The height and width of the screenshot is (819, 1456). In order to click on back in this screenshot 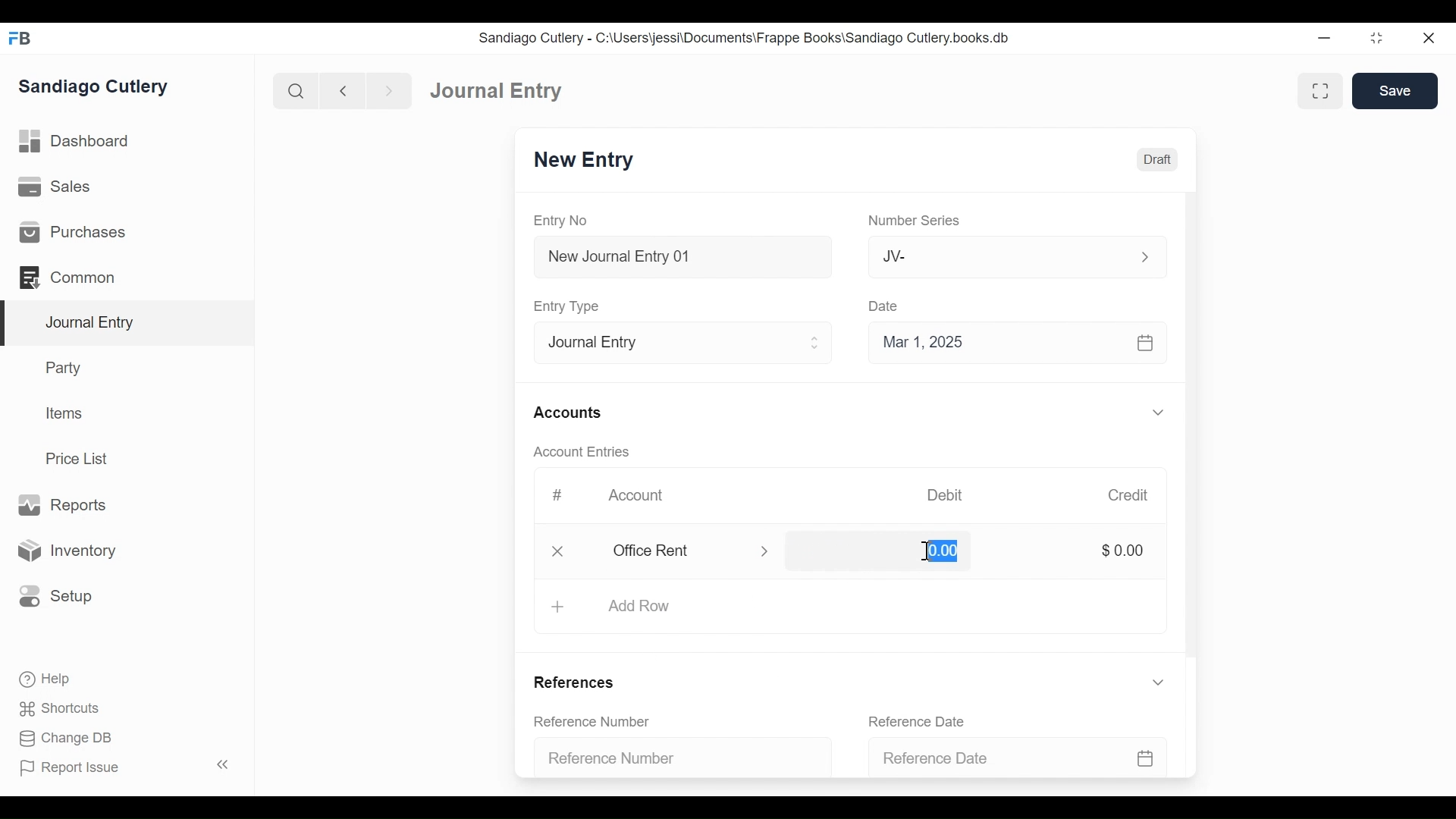, I will do `click(343, 89)`.